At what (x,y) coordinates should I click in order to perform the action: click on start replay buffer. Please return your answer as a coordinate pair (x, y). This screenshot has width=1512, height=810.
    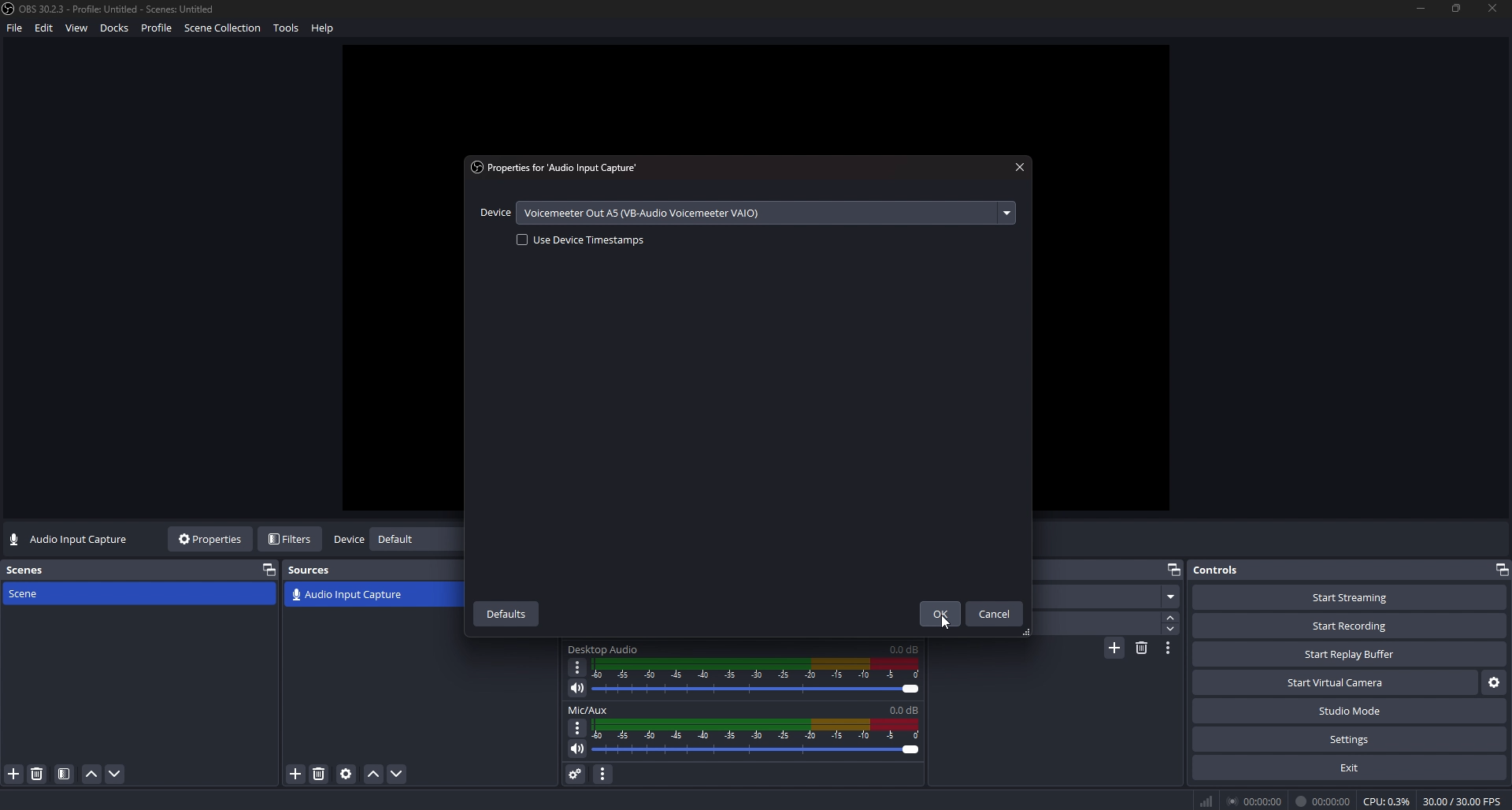
    Looking at the image, I should click on (1351, 655).